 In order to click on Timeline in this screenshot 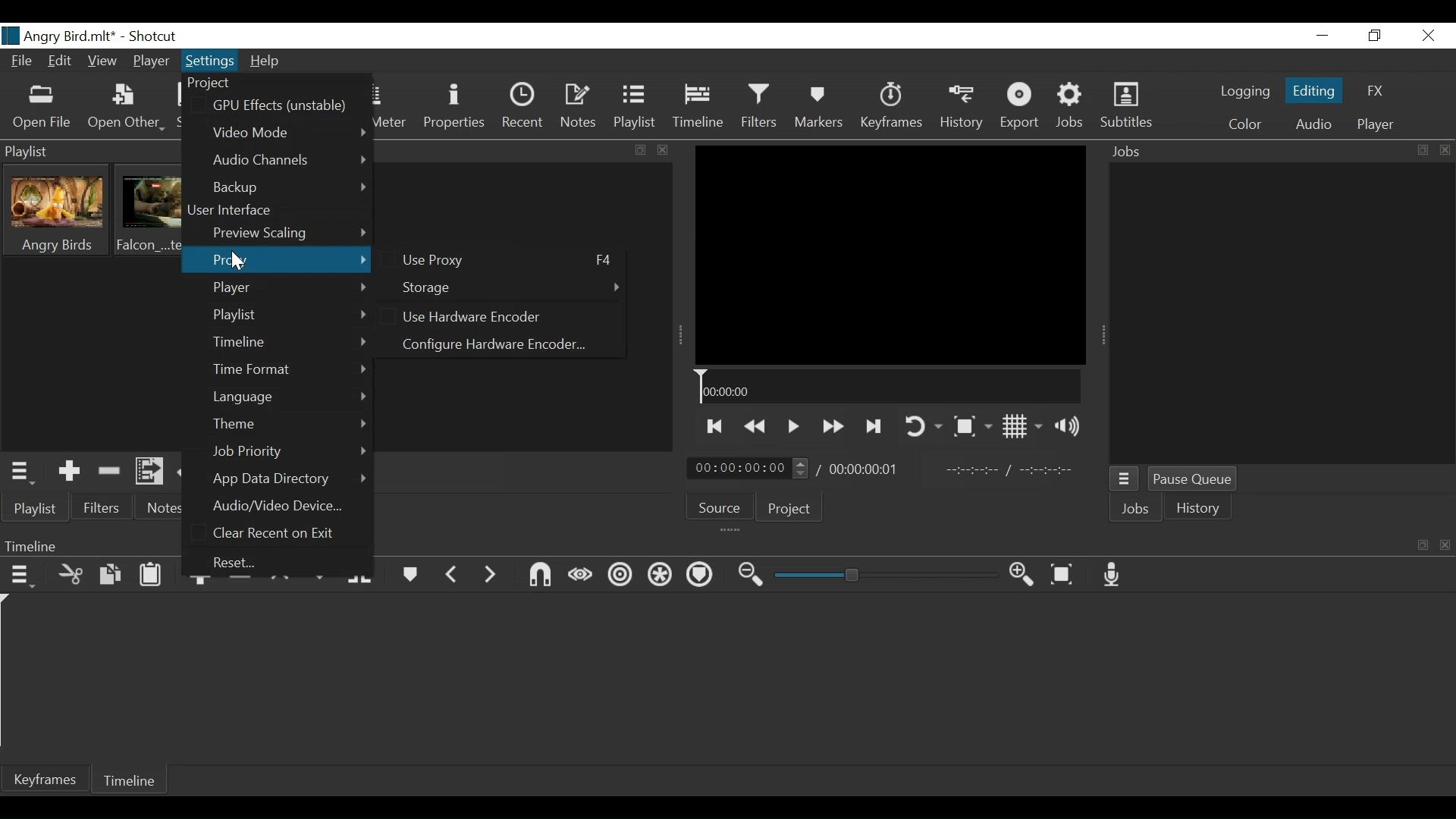, I will do `click(886, 386)`.